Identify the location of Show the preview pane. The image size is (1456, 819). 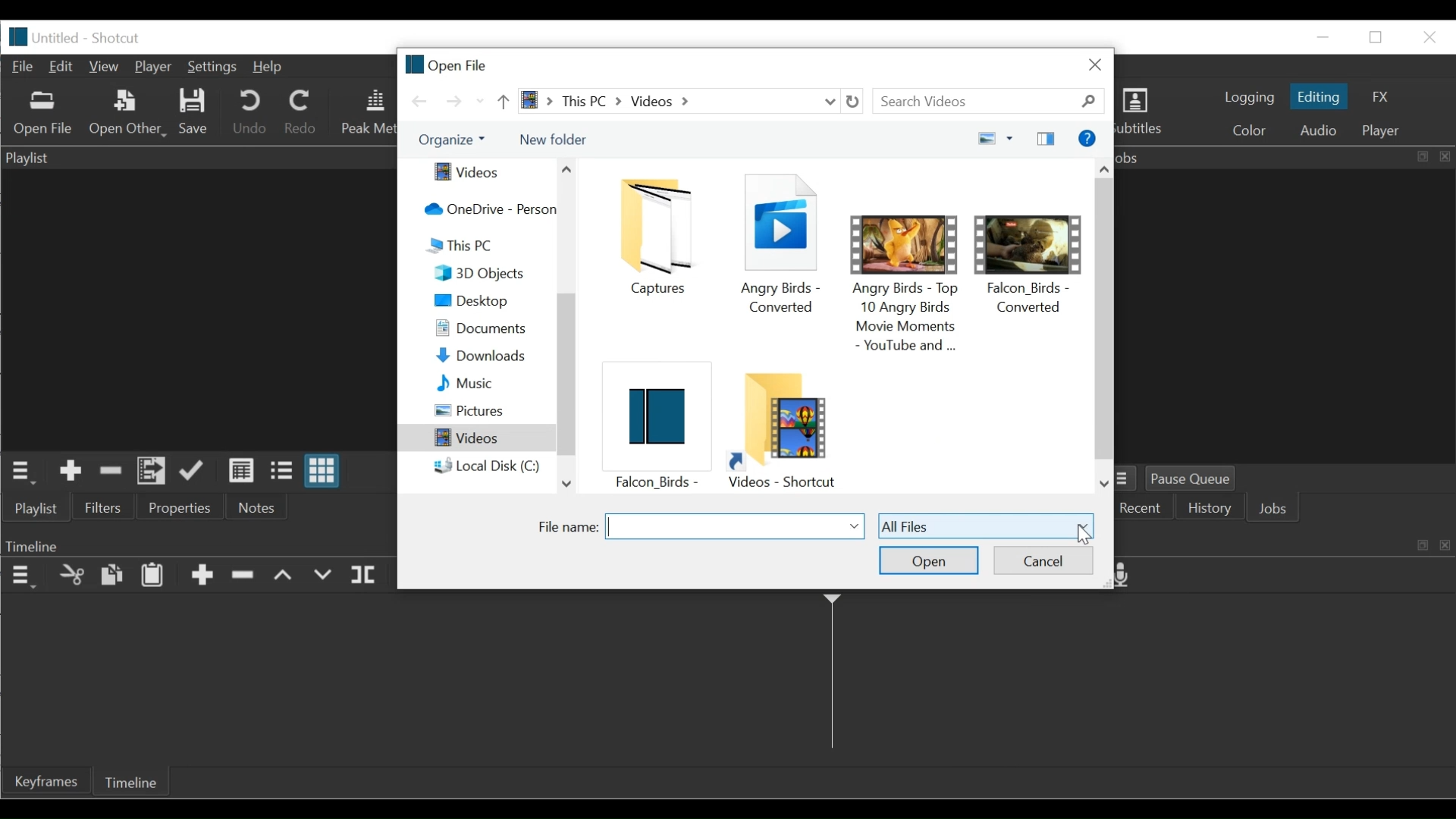
(1048, 138).